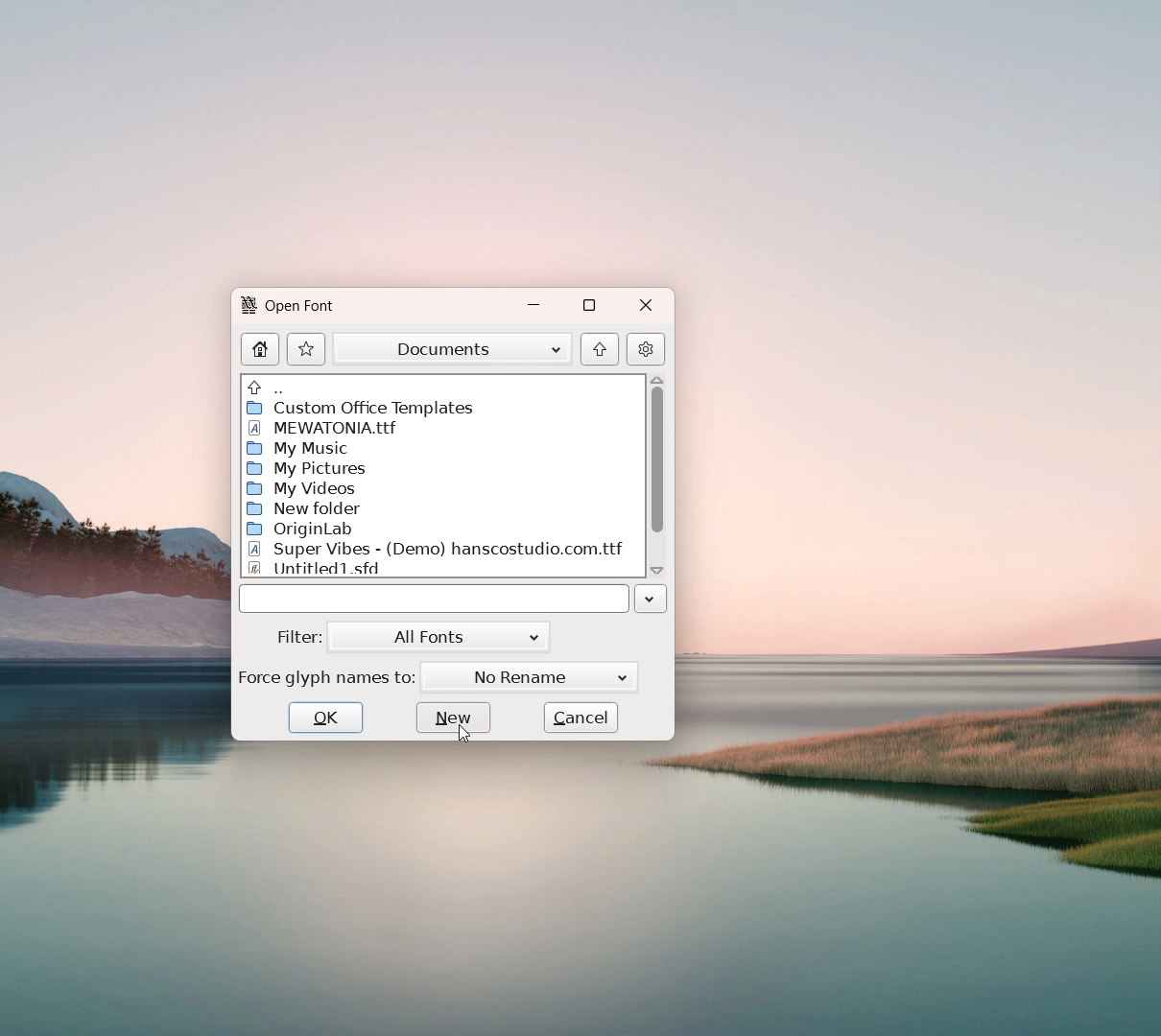 This screenshot has width=1161, height=1036. I want to click on scroll down, so click(657, 570).